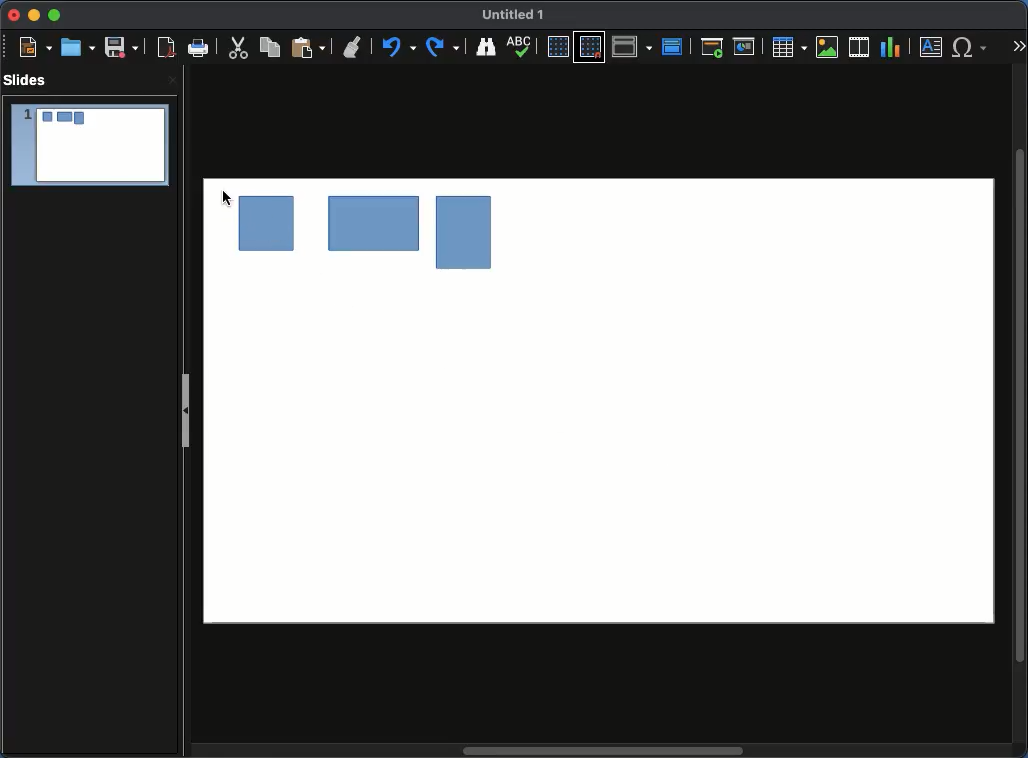 This screenshot has height=758, width=1028. I want to click on Start from first slide, so click(712, 47).